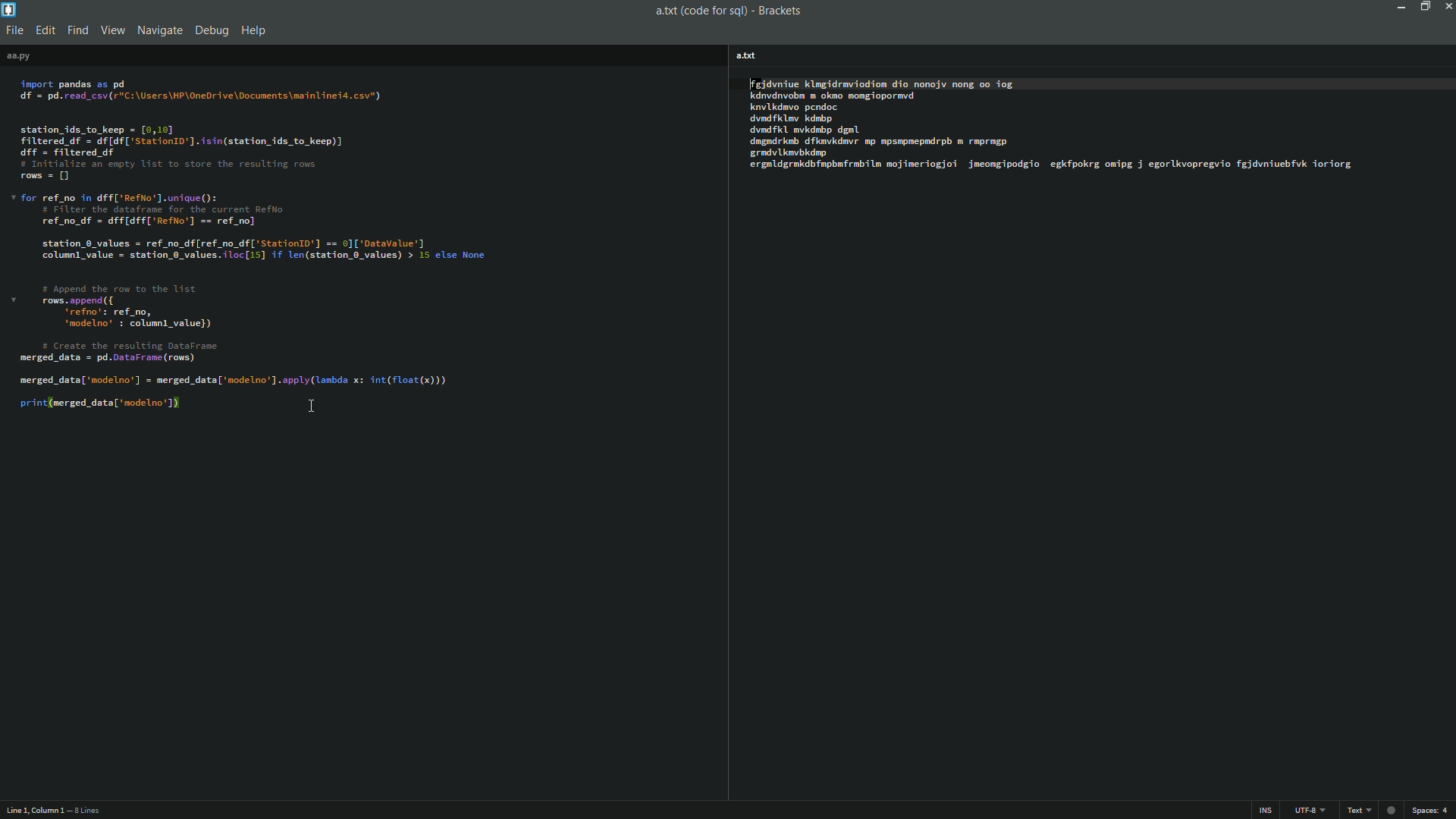 The height and width of the screenshot is (819, 1456). Describe the element at coordinates (256, 32) in the screenshot. I see `help menu` at that location.